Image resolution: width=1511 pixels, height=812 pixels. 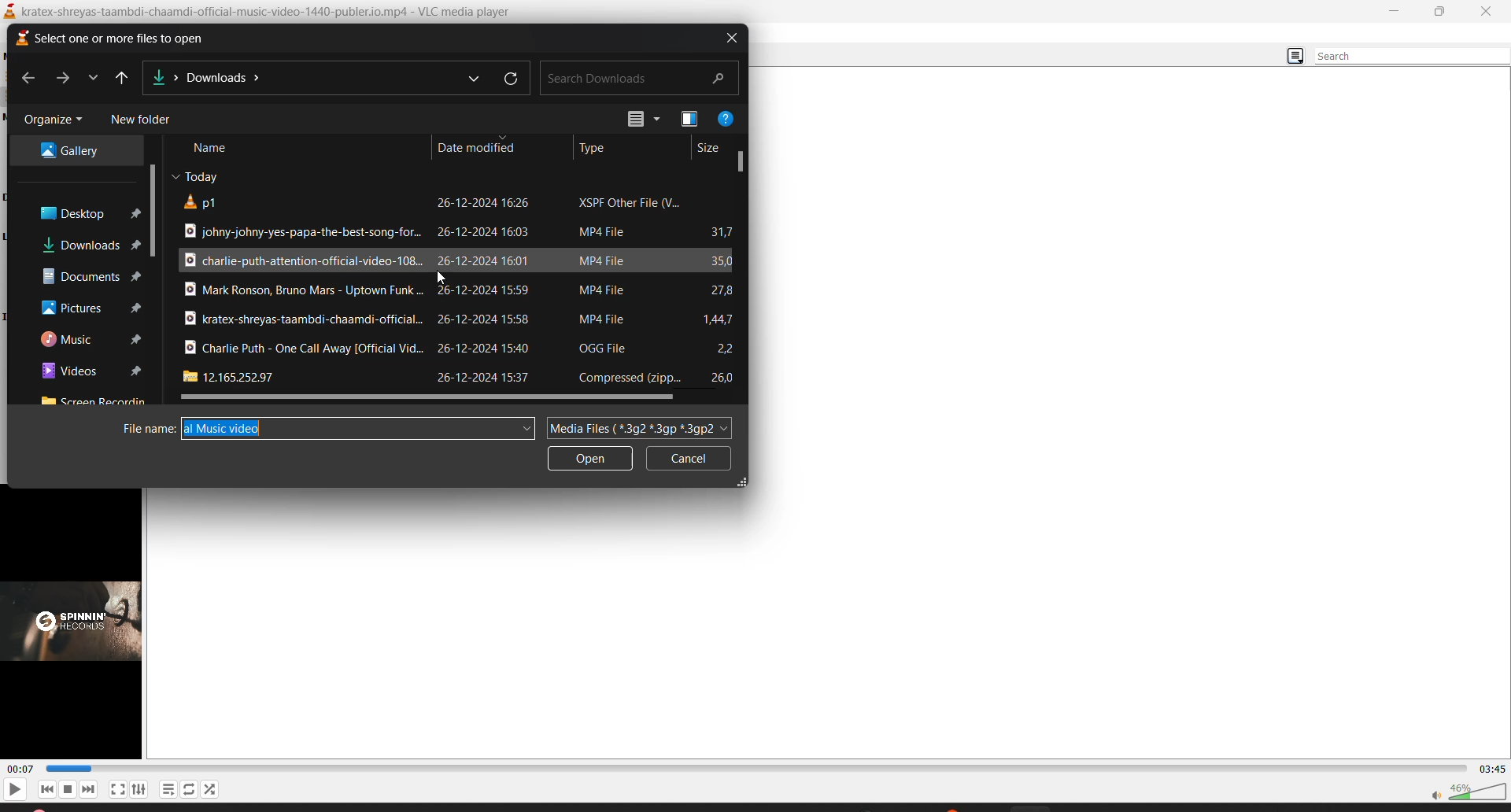 I want to click on change view, so click(x=1292, y=57).